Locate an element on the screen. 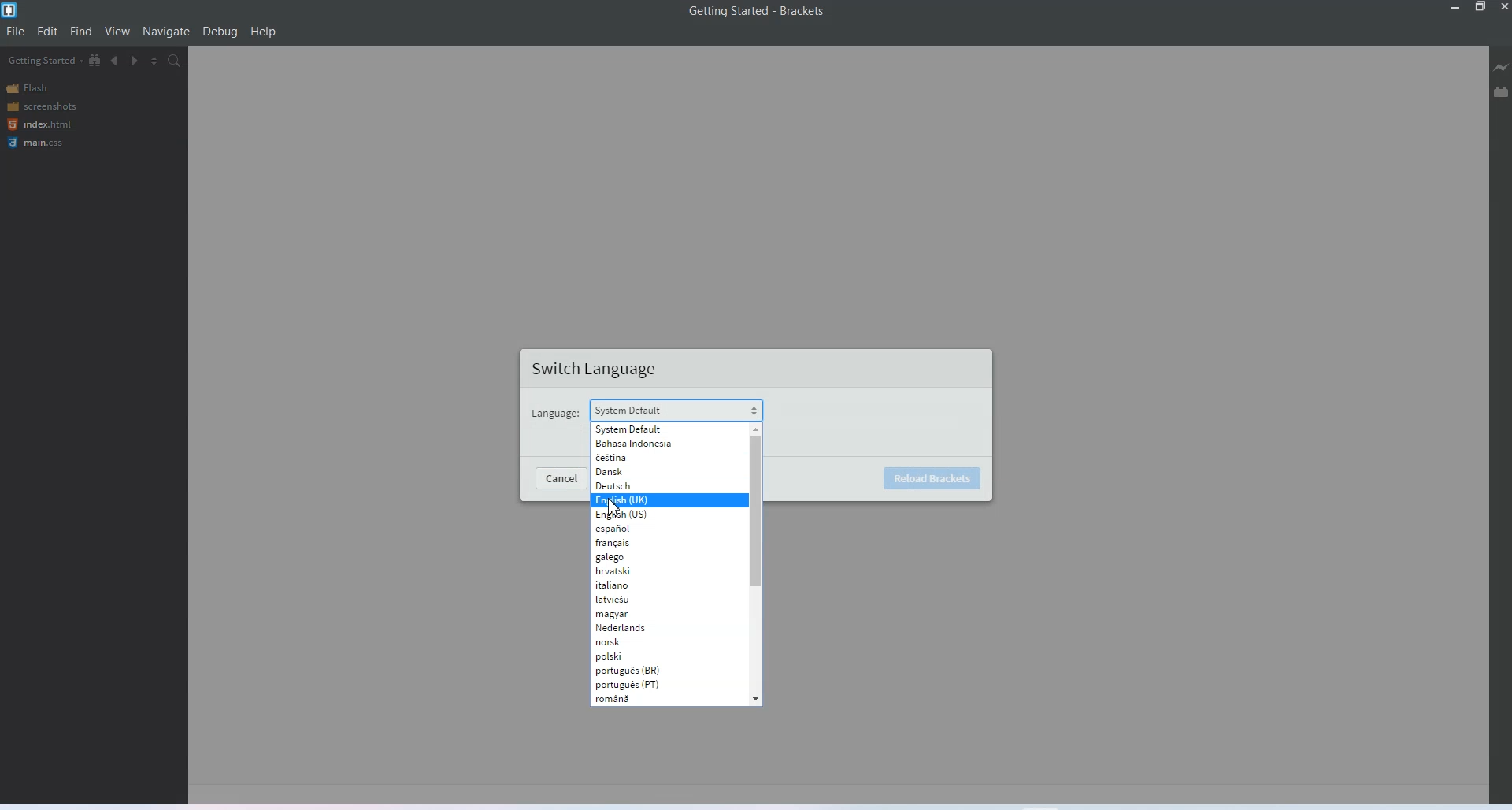 The image size is (1512, 810). cestina is located at coordinates (658, 456).